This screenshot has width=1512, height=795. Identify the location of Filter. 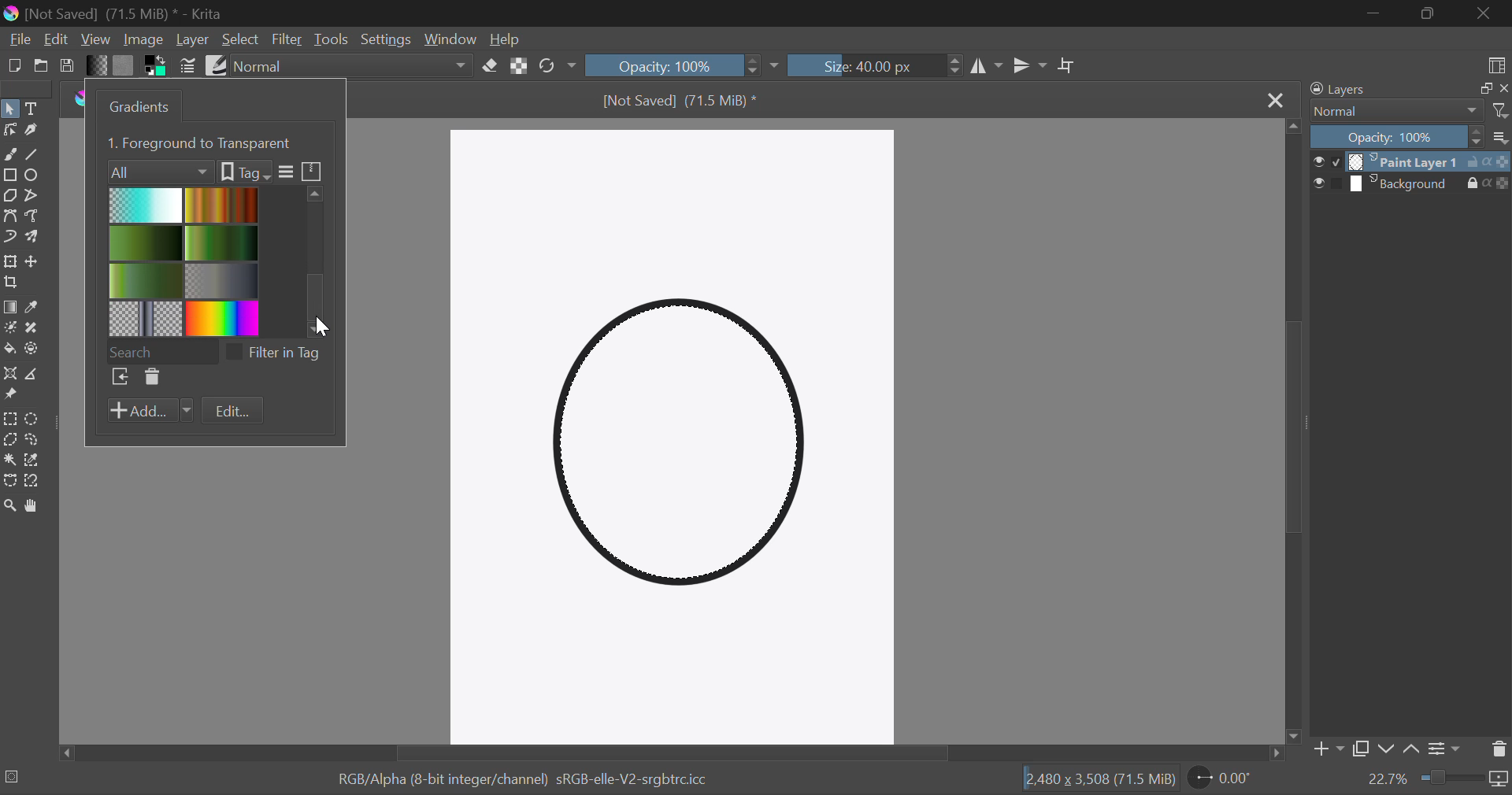
(287, 39).